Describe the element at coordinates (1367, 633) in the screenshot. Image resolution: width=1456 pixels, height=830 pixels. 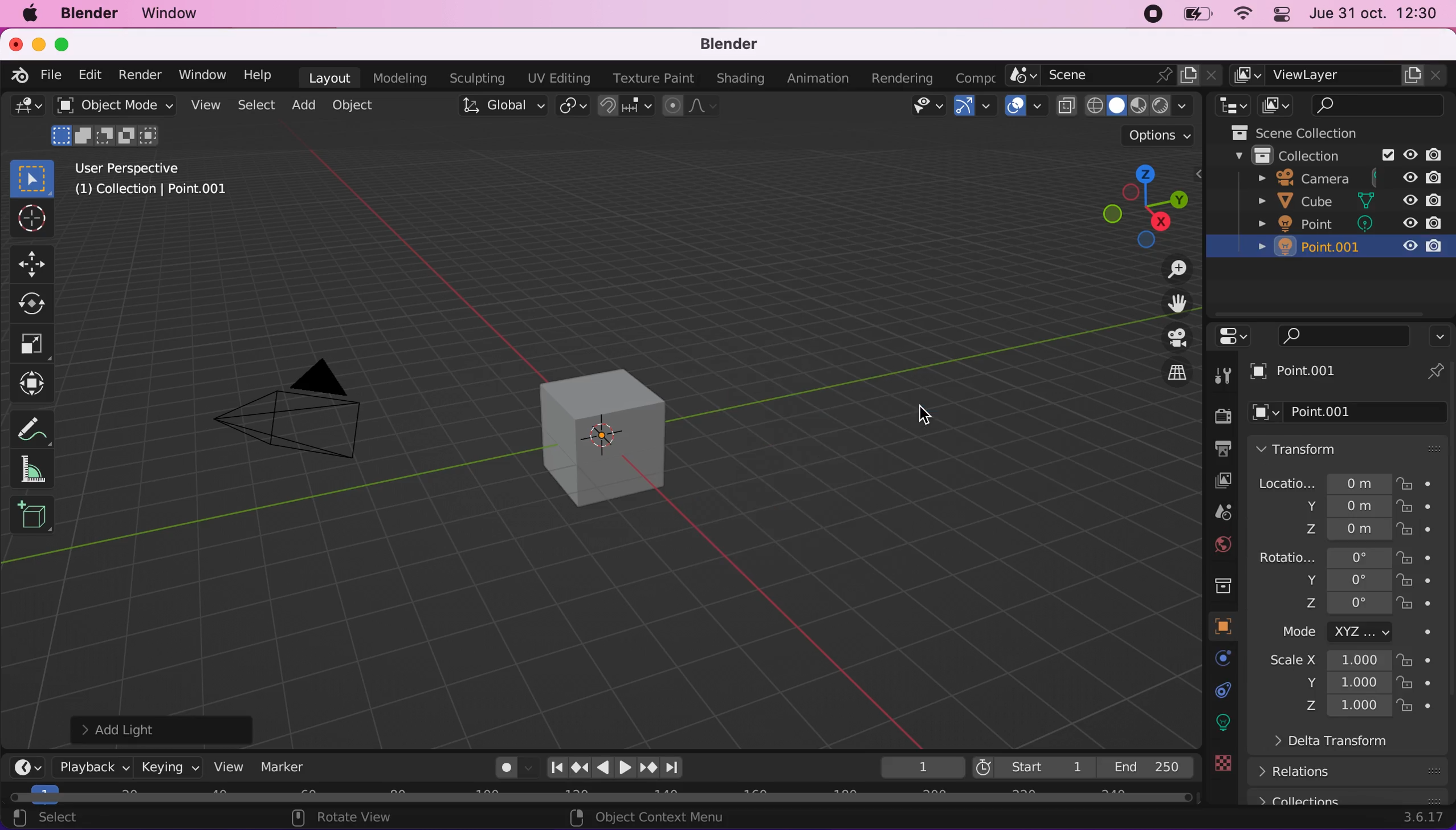
I see `mode xyz...` at that location.